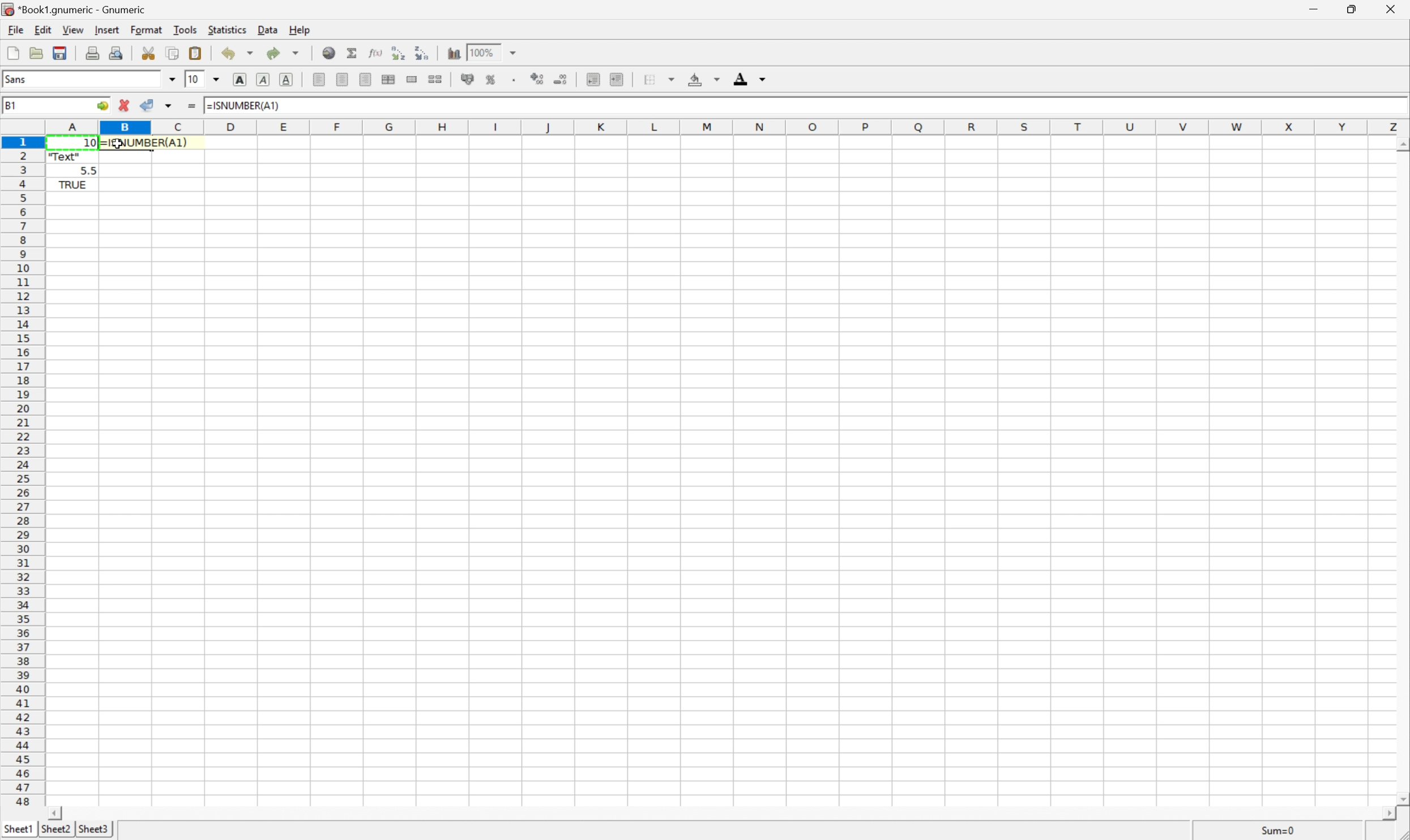  Describe the element at coordinates (266, 29) in the screenshot. I see `Data` at that location.